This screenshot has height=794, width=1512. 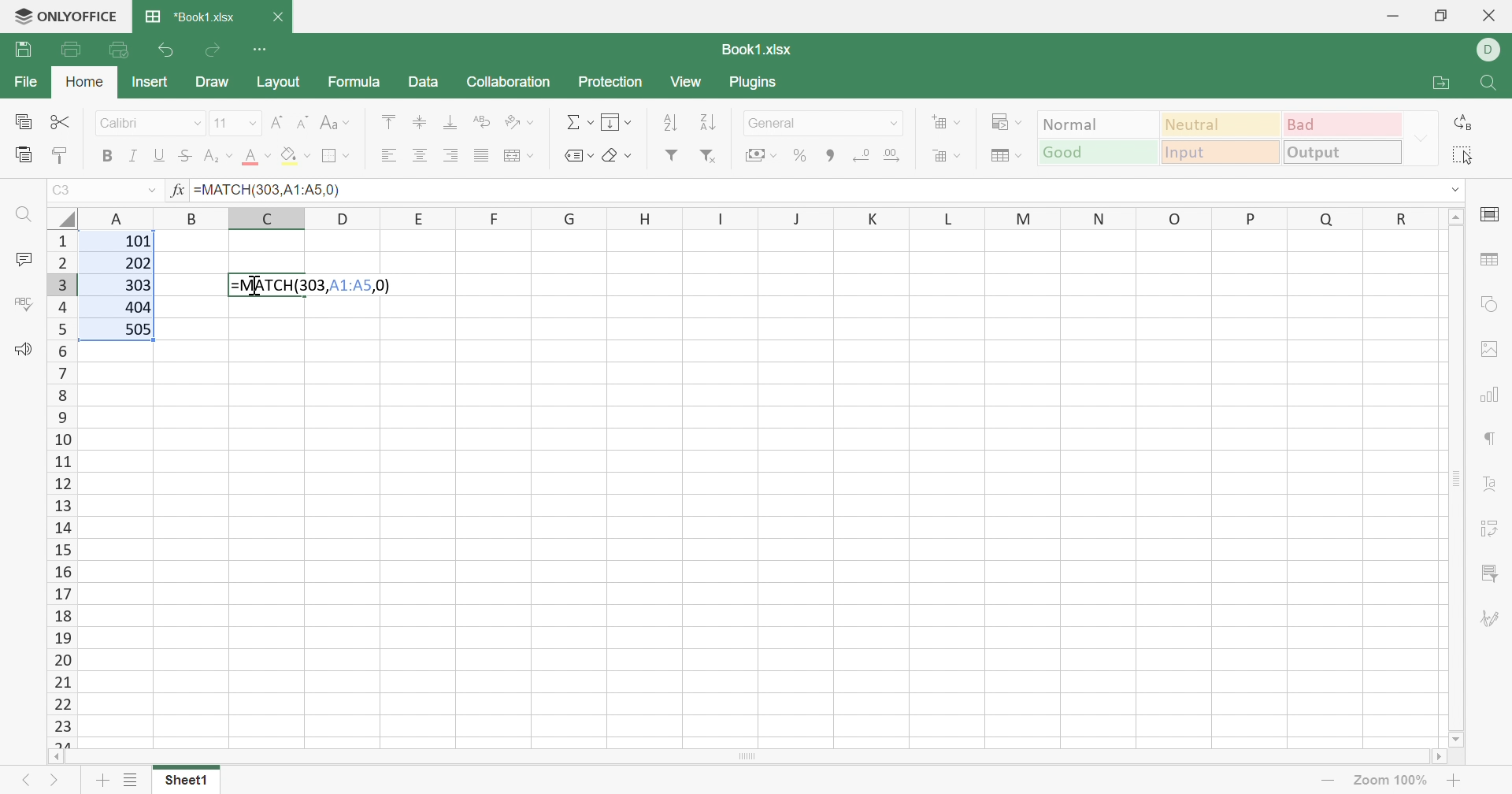 What do you see at coordinates (250, 122) in the screenshot?
I see `Drop Down` at bounding box center [250, 122].